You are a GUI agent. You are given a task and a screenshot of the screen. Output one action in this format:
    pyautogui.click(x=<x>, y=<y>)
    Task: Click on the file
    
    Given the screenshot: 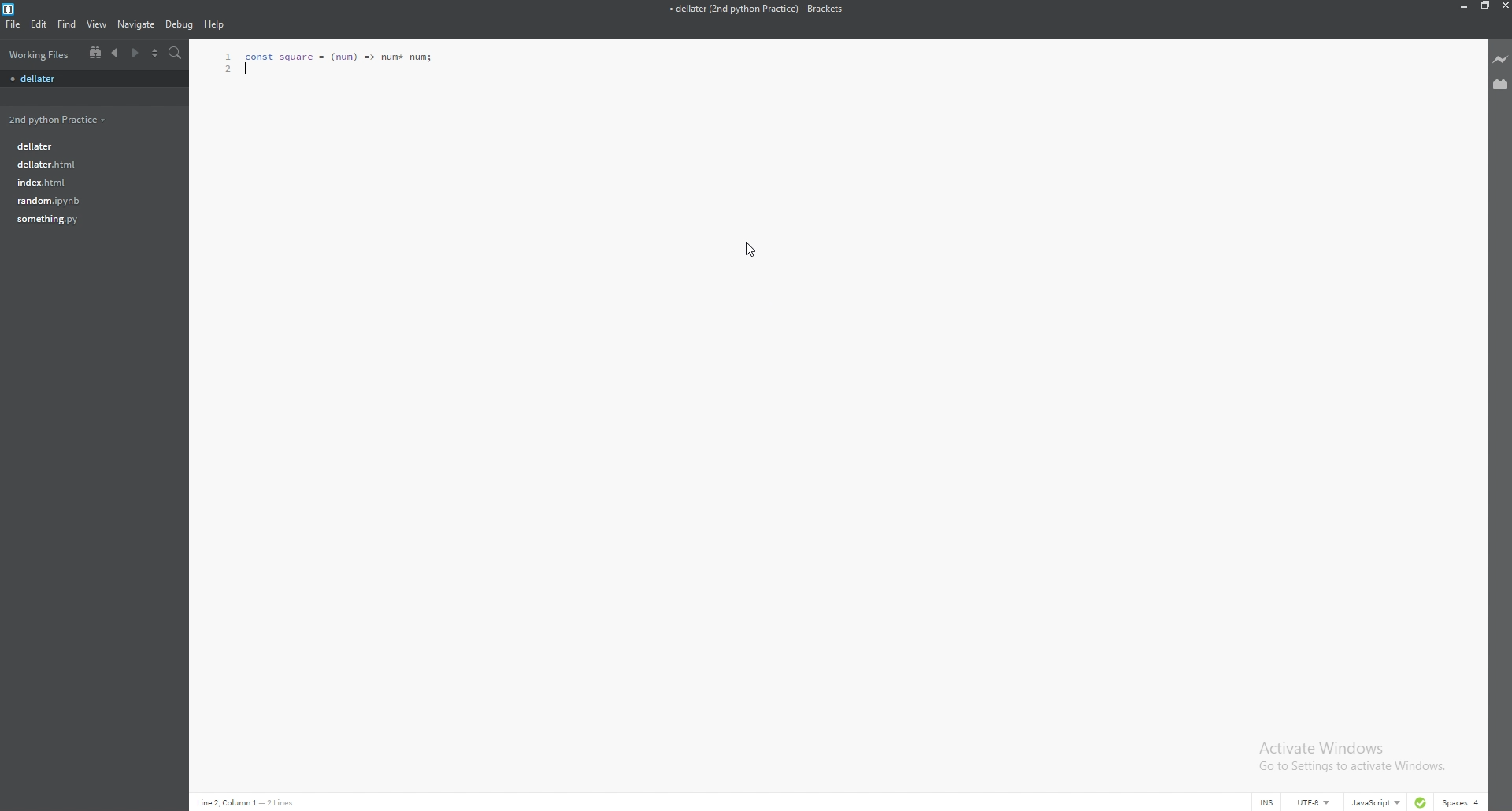 What is the action you would take?
    pyautogui.click(x=89, y=200)
    